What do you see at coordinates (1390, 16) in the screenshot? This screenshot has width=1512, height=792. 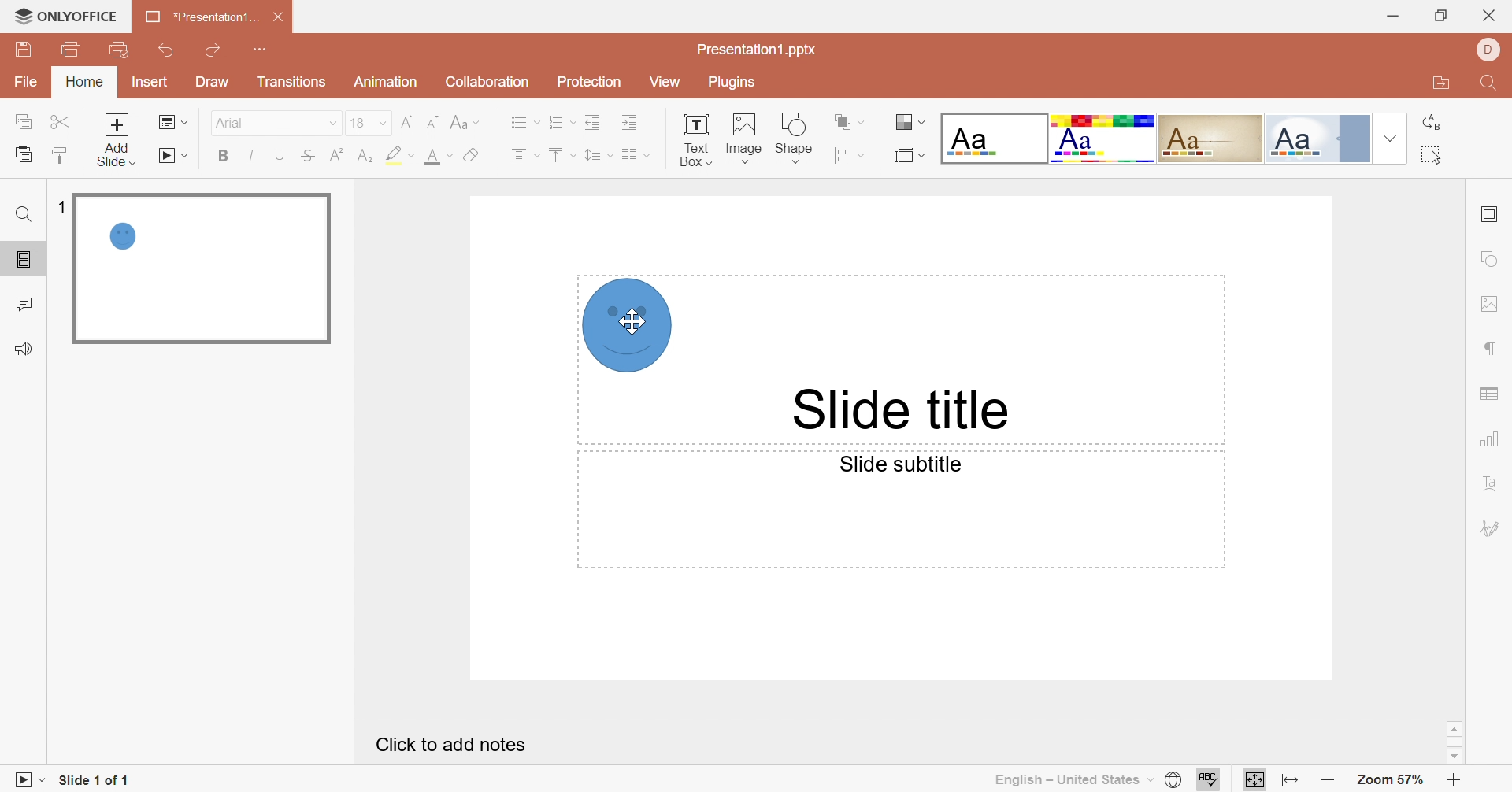 I see `Minimize` at bounding box center [1390, 16].